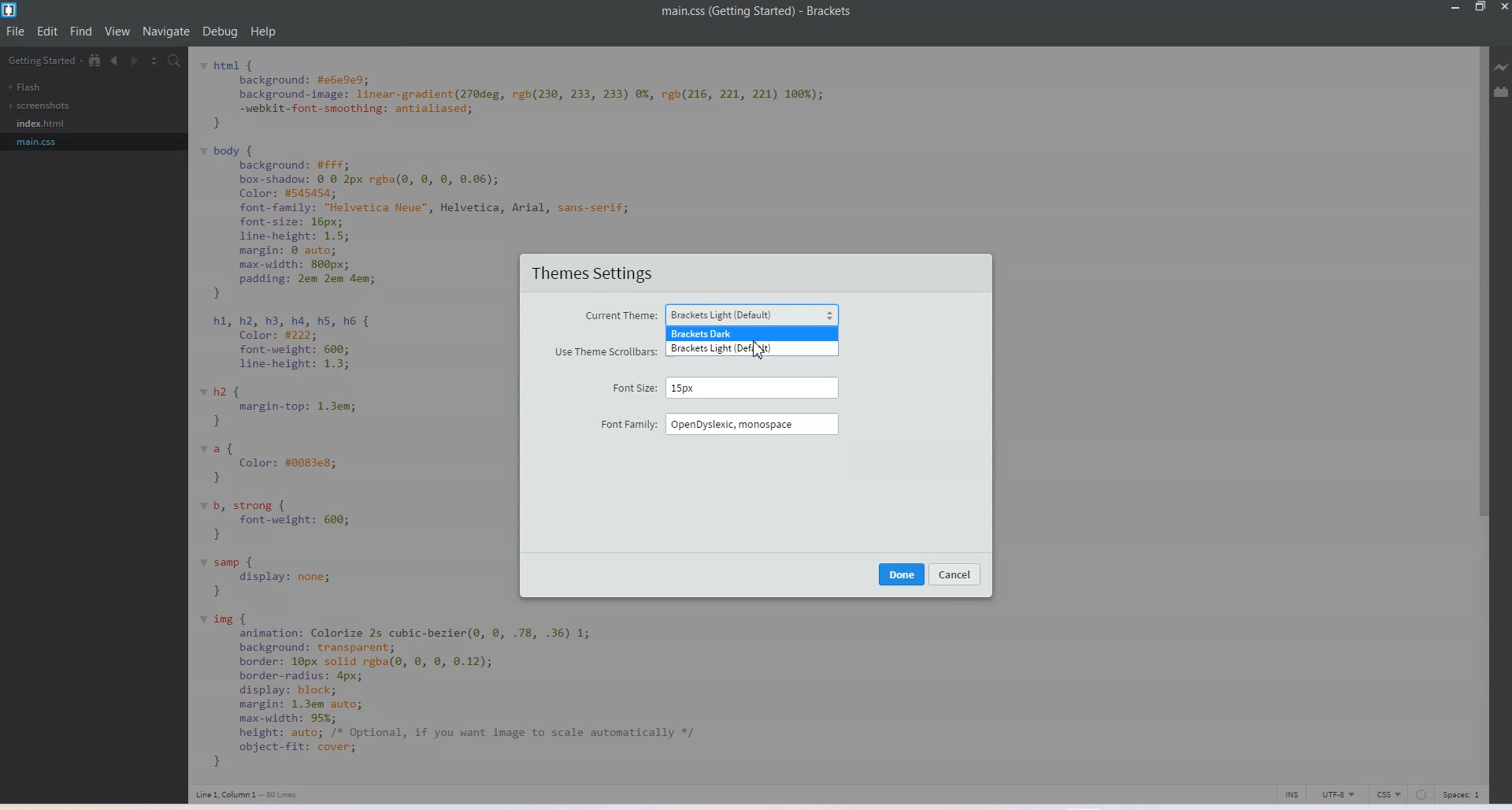 The image size is (1512, 810). What do you see at coordinates (24, 87) in the screenshot?
I see `Flash` at bounding box center [24, 87].